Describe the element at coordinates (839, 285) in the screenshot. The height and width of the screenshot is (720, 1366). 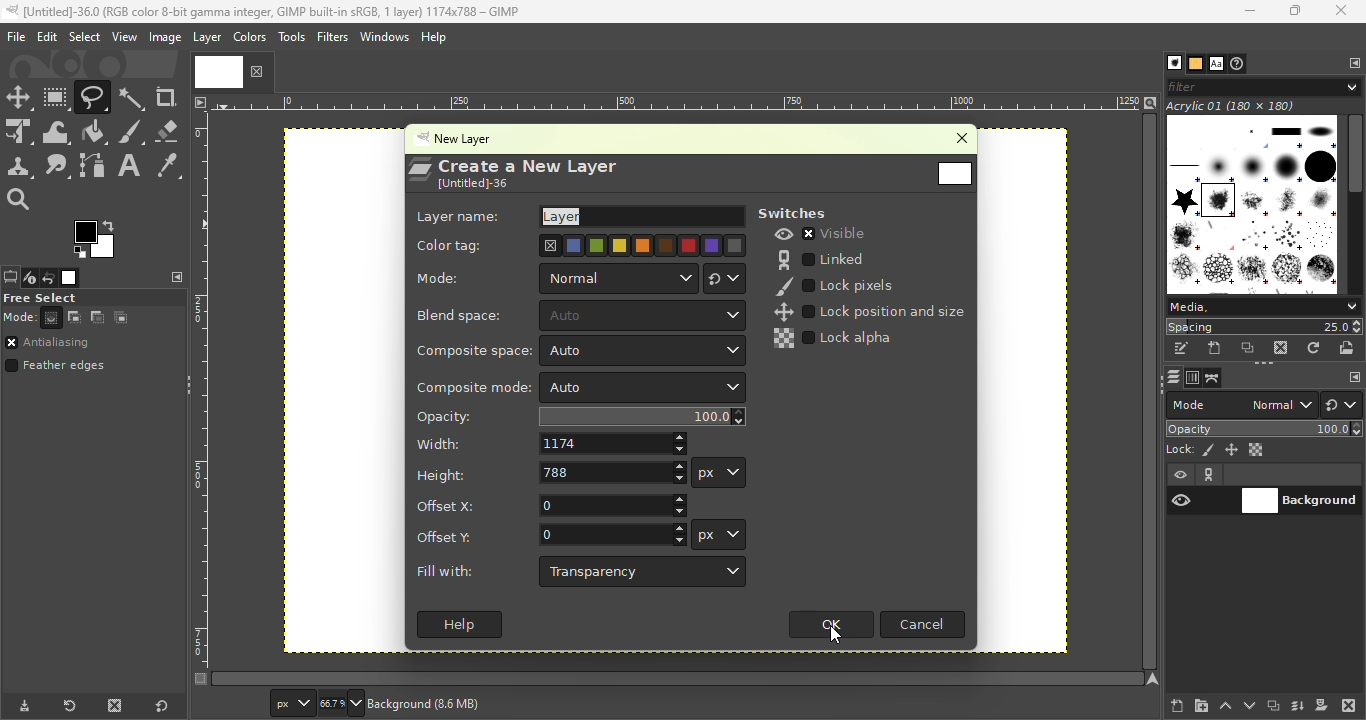
I see `Lock pixels` at that location.